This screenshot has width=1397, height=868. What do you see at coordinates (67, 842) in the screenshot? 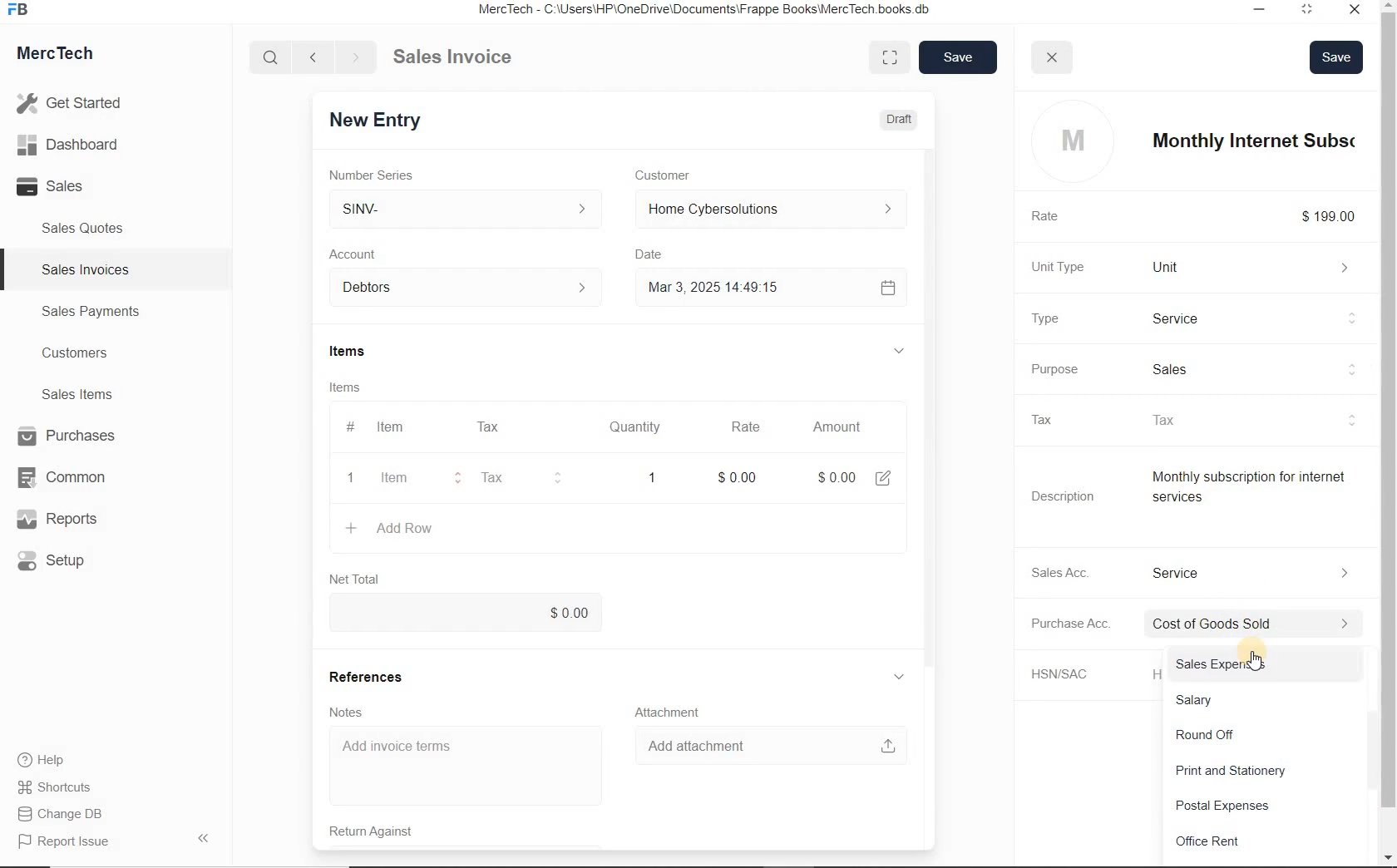
I see `Report Issue` at bounding box center [67, 842].